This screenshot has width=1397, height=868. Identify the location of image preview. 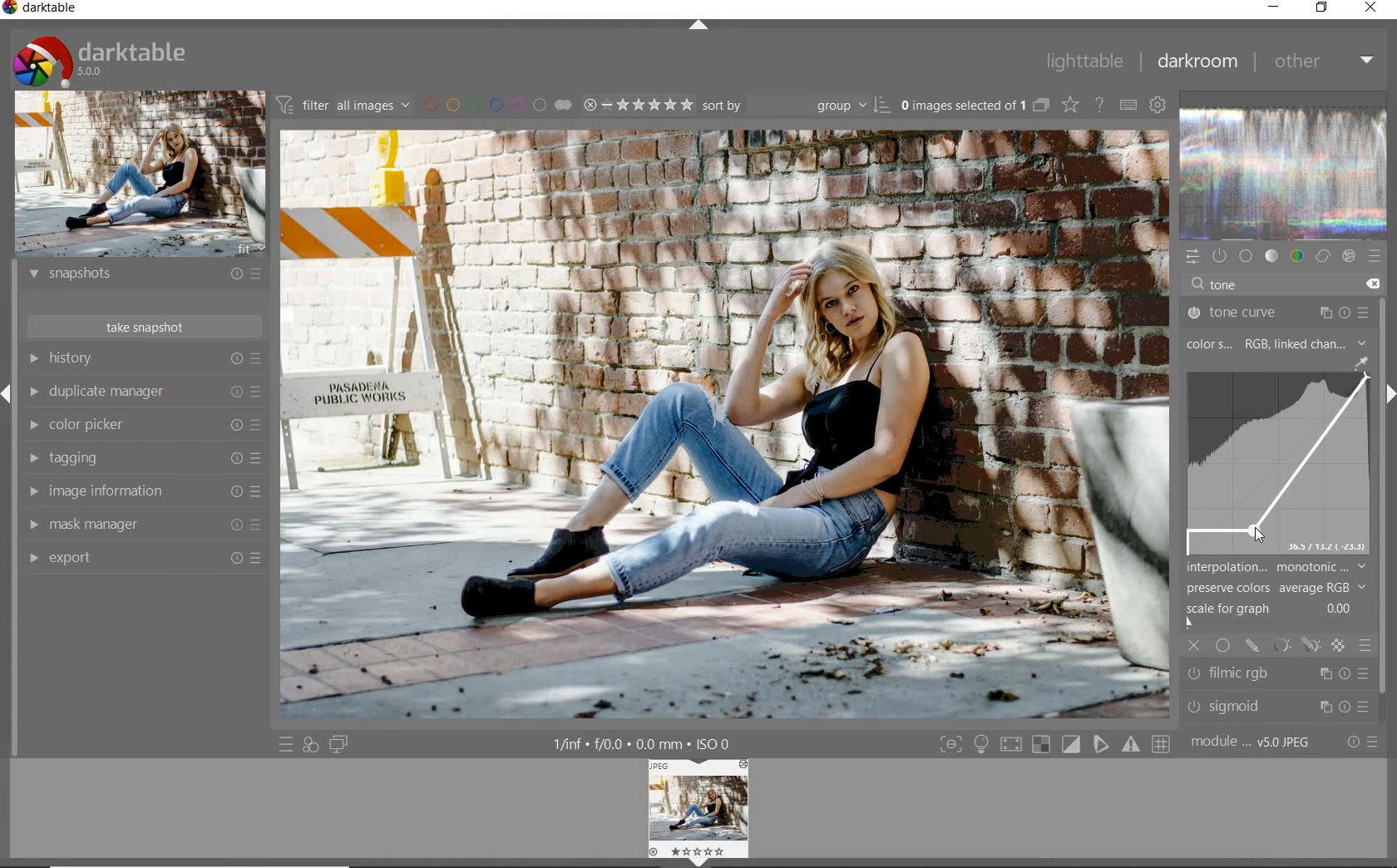
(139, 175).